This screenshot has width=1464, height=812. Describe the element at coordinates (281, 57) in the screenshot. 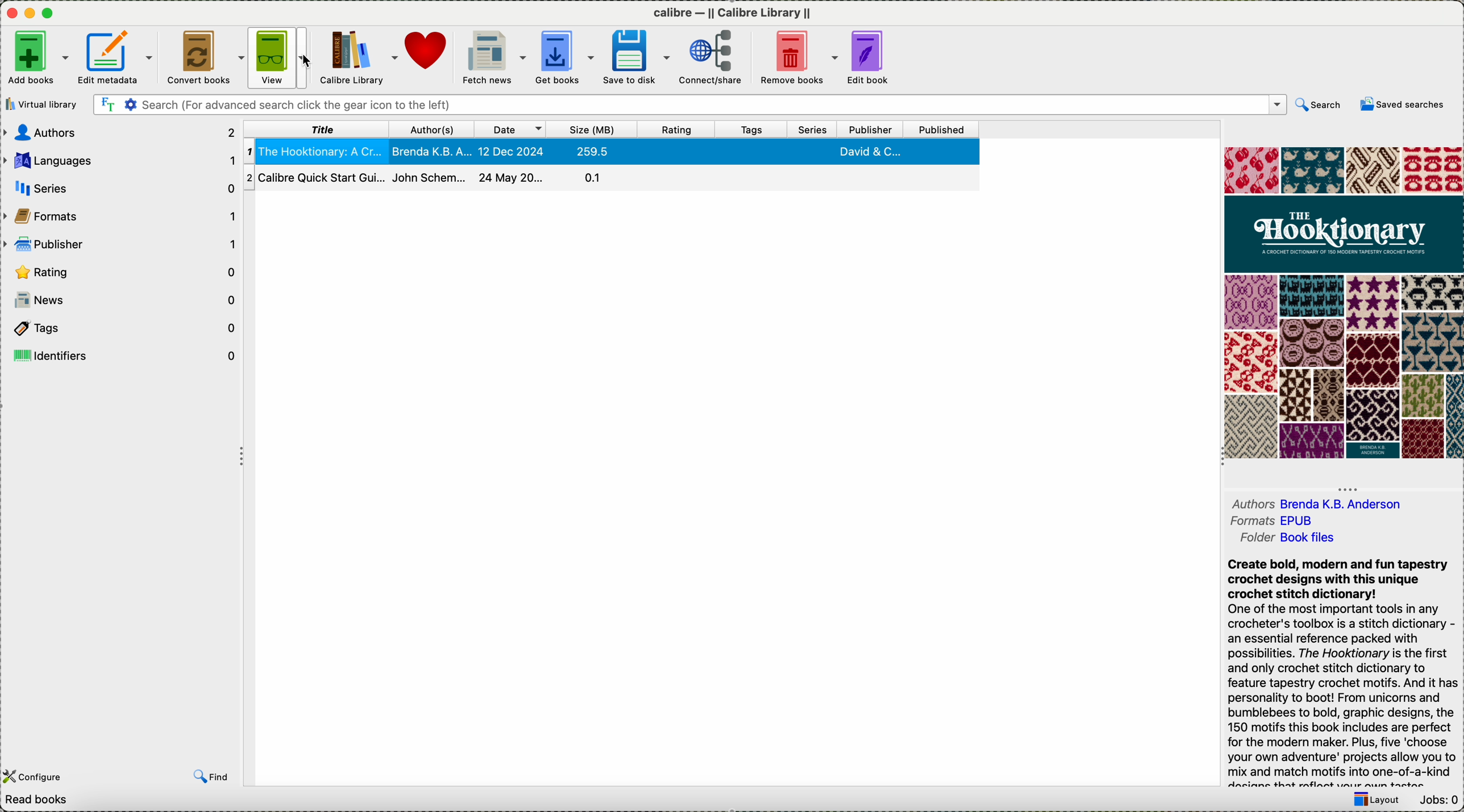

I see `click on view options` at that location.